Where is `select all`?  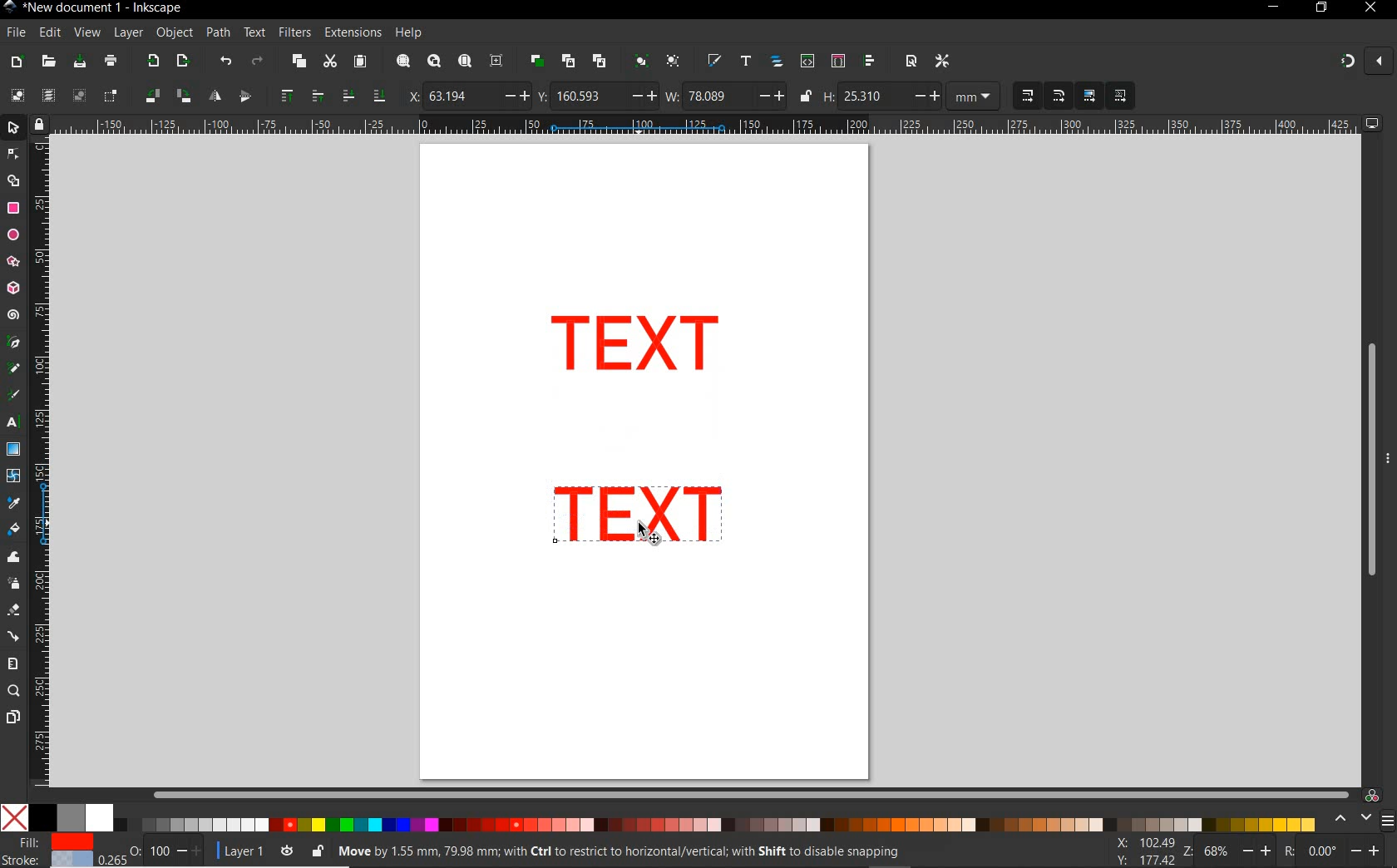
select all is located at coordinates (17, 96).